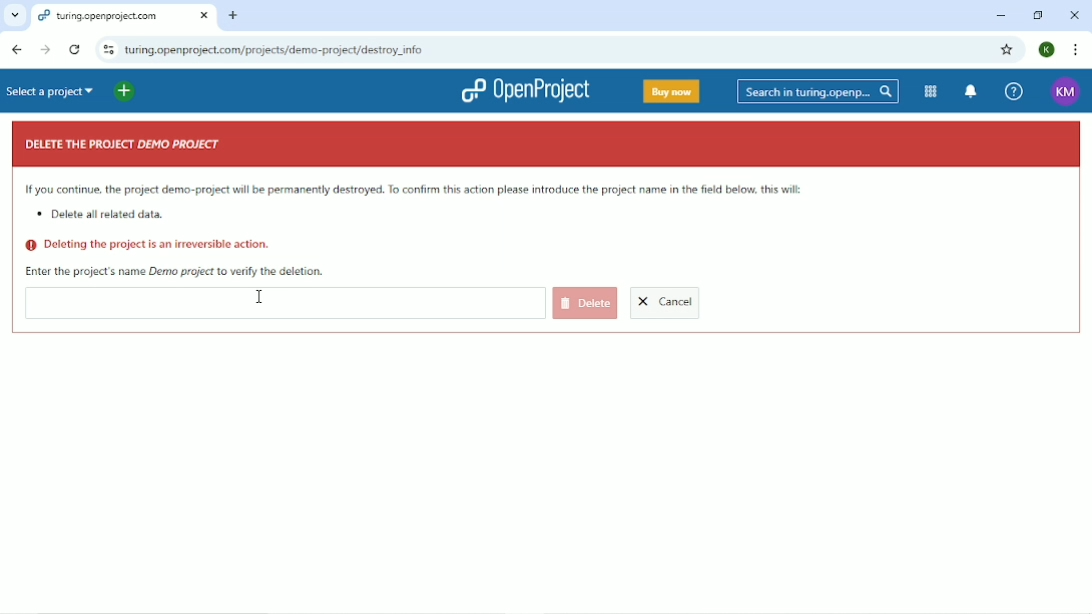 Image resolution: width=1092 pixels, height=614 pixels. Describe the element at coordinates (235, 16) in the screenshot. I see `New tab` at that location.